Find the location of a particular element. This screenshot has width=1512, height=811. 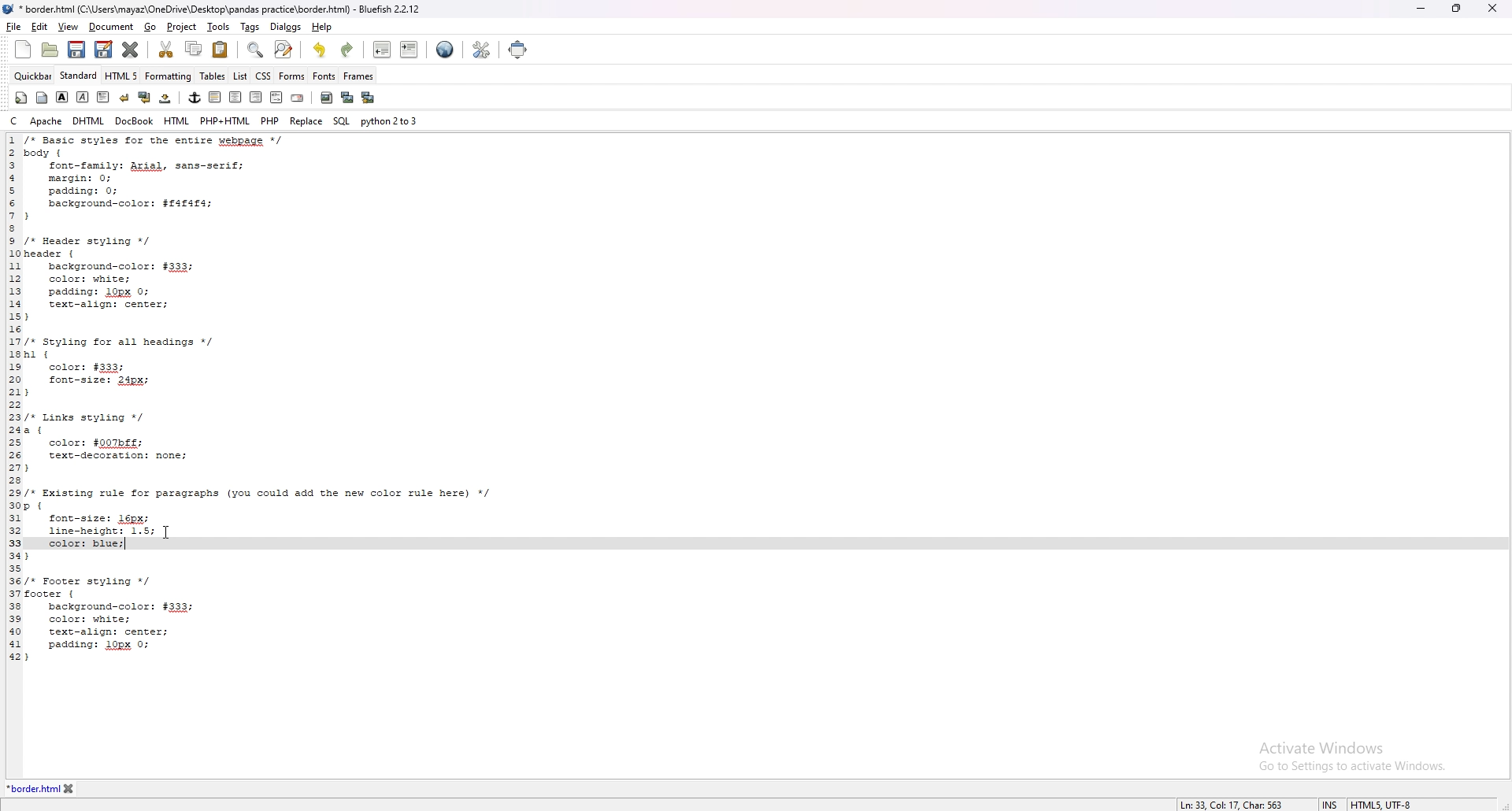

encoding is located at coordinates (1384, 802).